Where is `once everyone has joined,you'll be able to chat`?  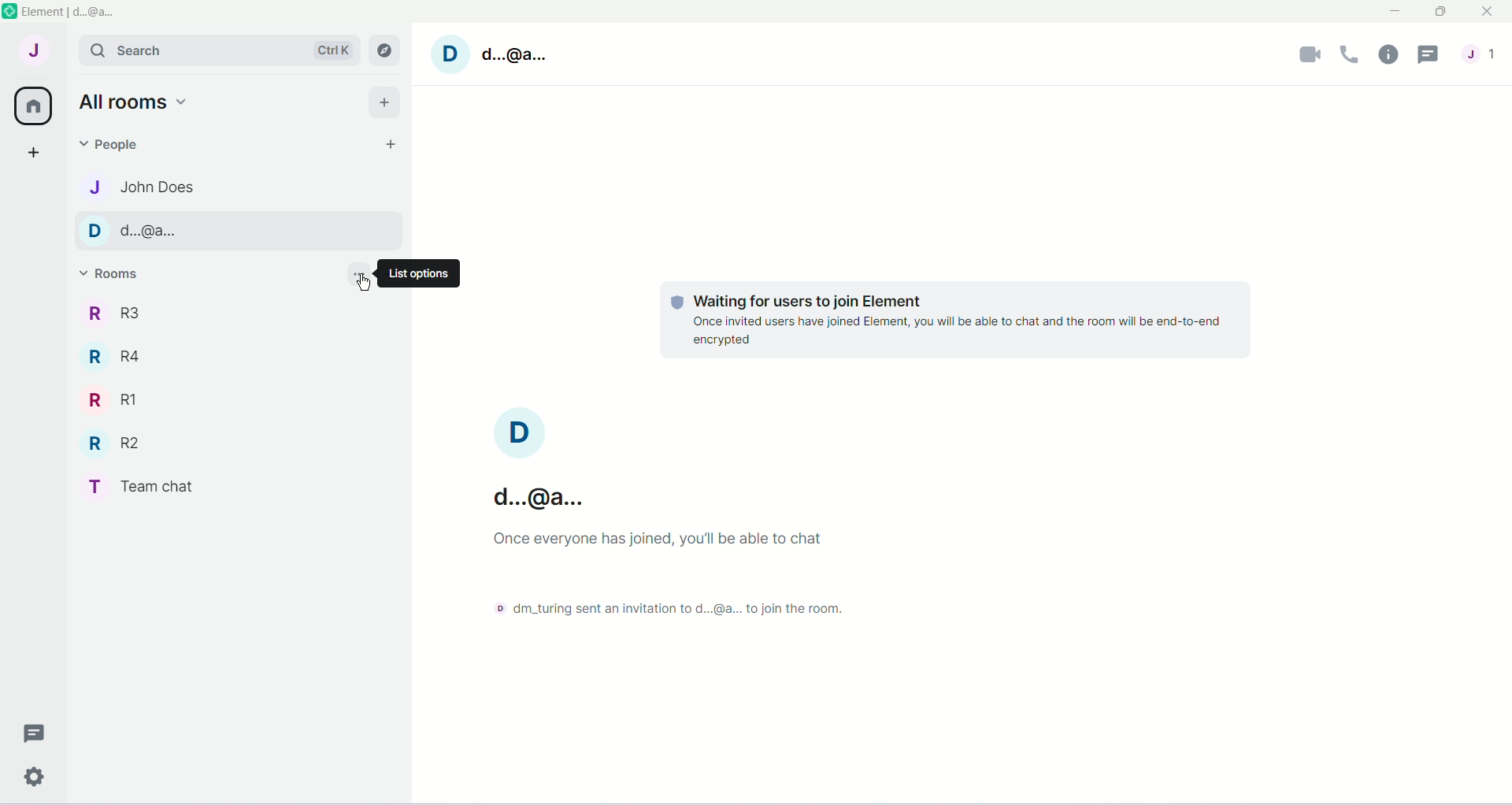
once everyone has joined,you'll be able to chat is located at coordinates (646, 544).